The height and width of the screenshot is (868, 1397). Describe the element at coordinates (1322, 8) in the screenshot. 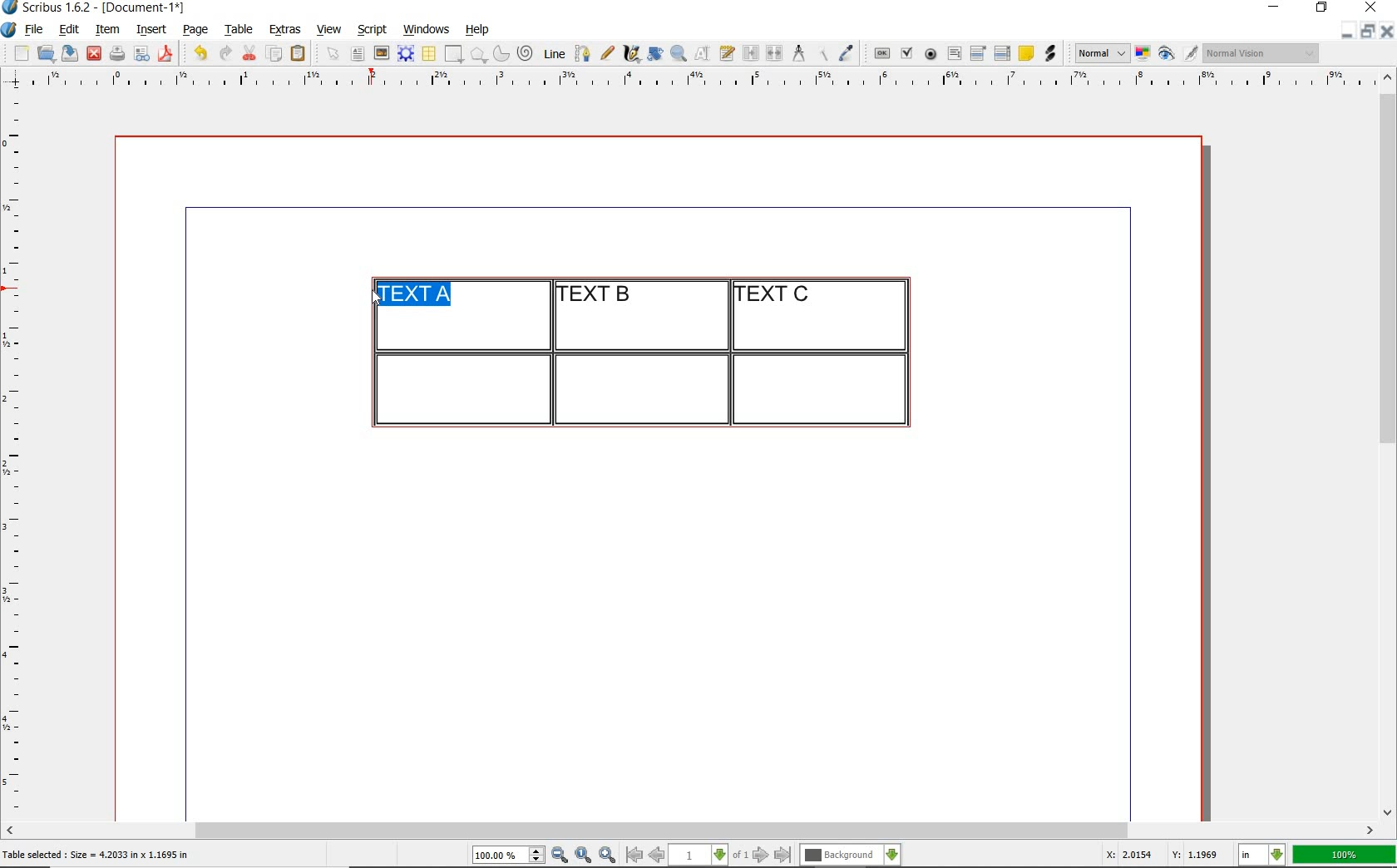

I see `restore` at that location.